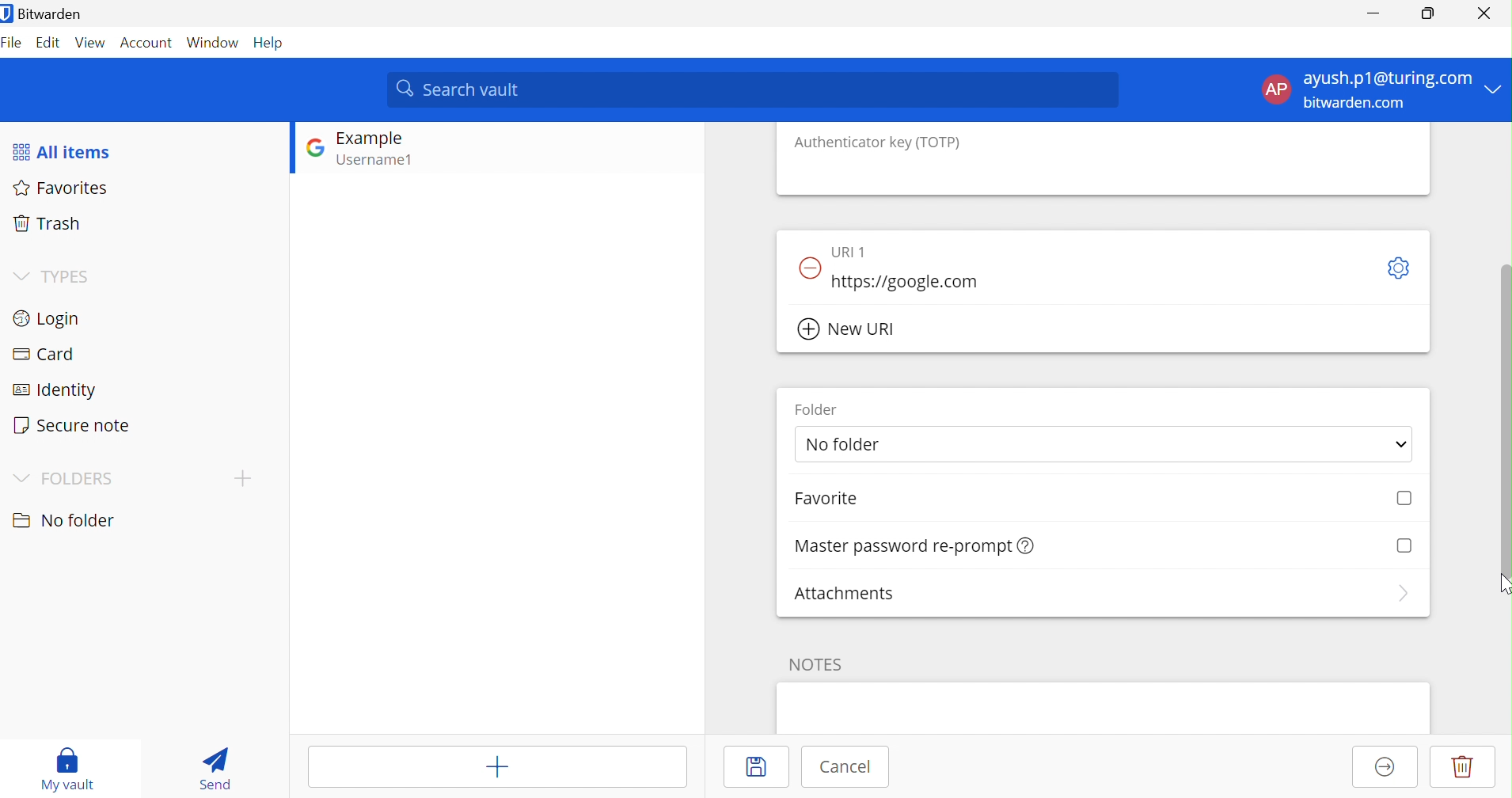  I want to click on Save, so click(758, 766).